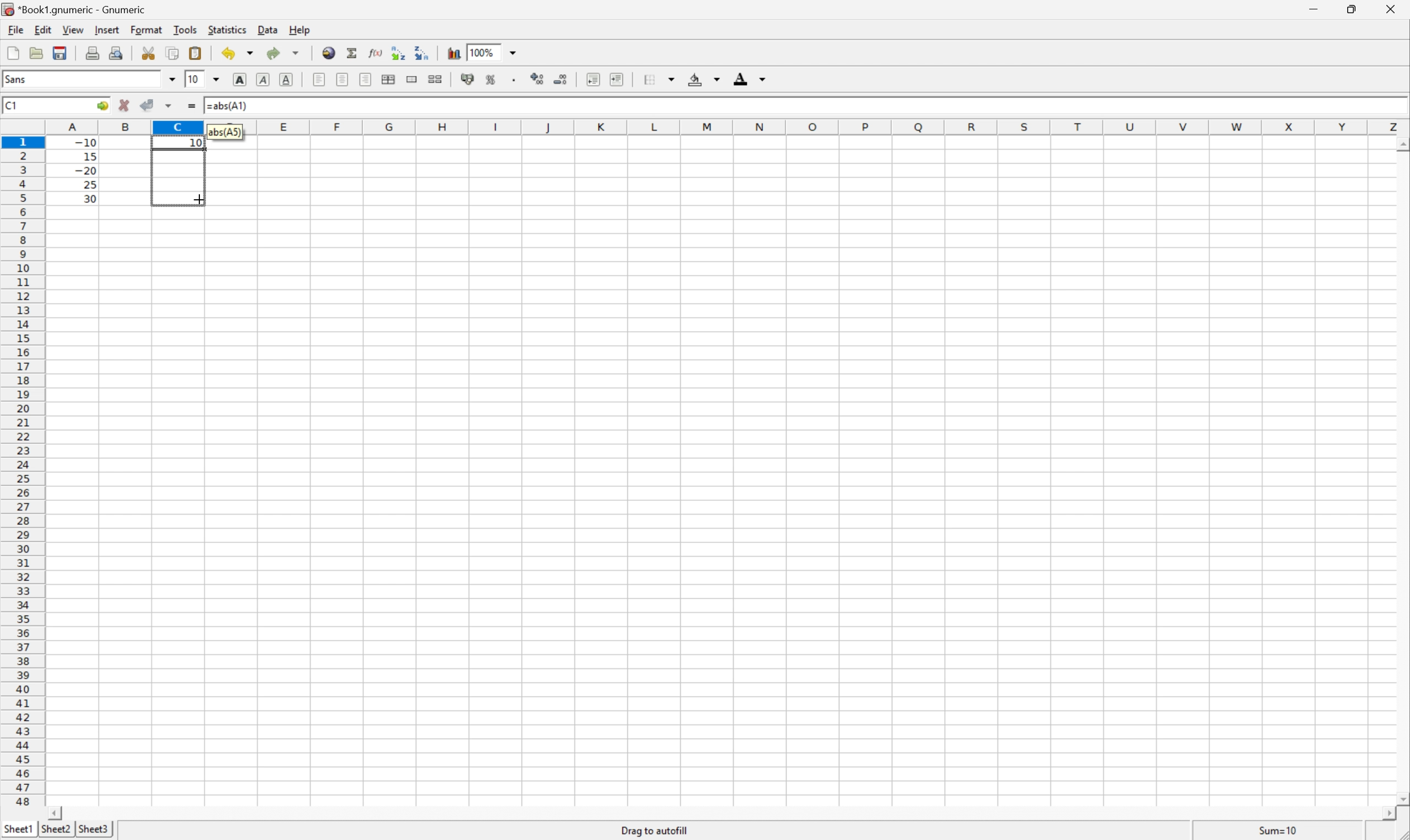 Image resolution: width=1410 pixels, height=840 pixels. Describe the element at coordinates (44, 28) in the screenshot. I see `Edit` at that location.